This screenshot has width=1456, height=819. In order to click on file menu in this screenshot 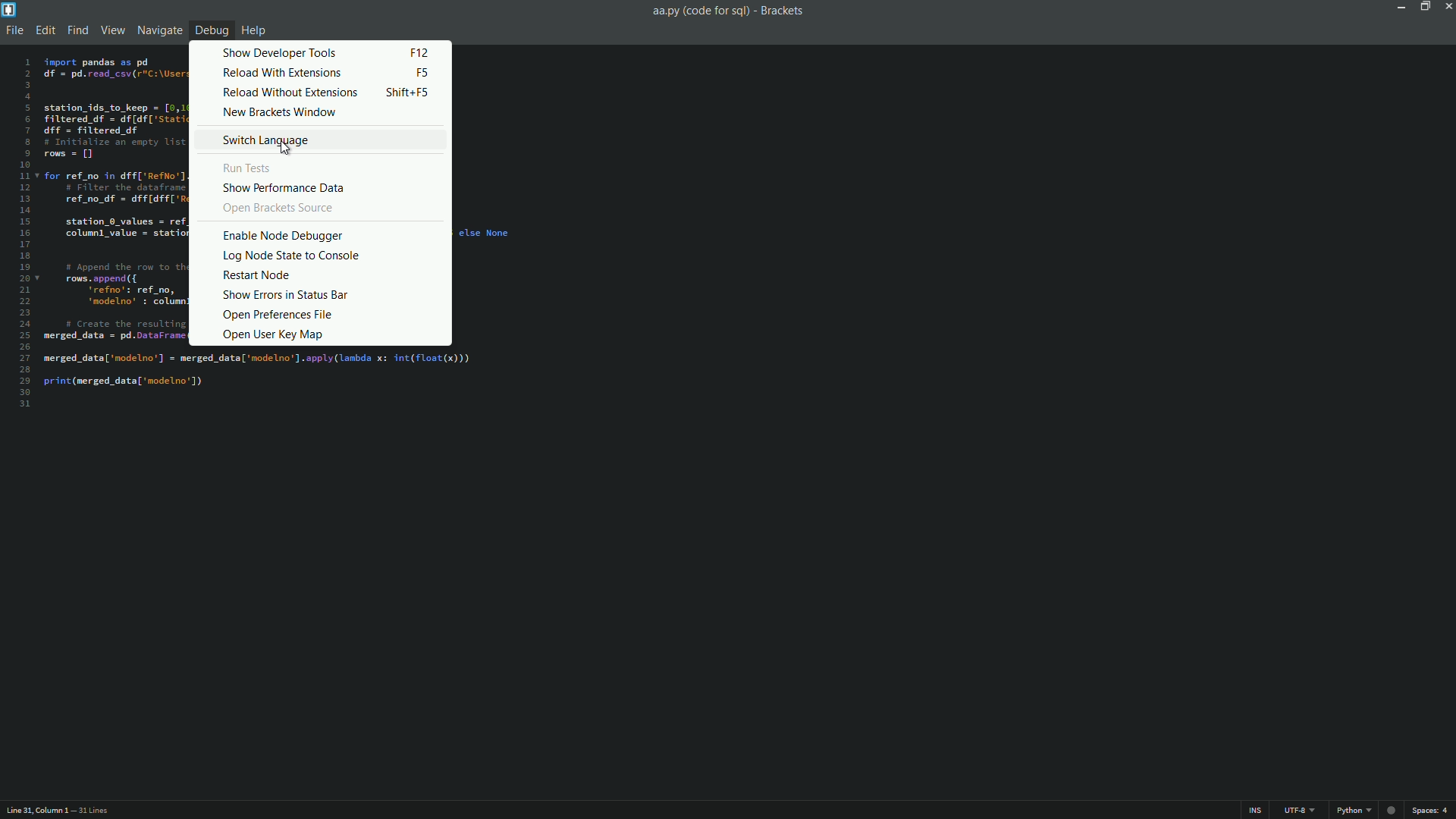, I will do `click(17, 31)`.